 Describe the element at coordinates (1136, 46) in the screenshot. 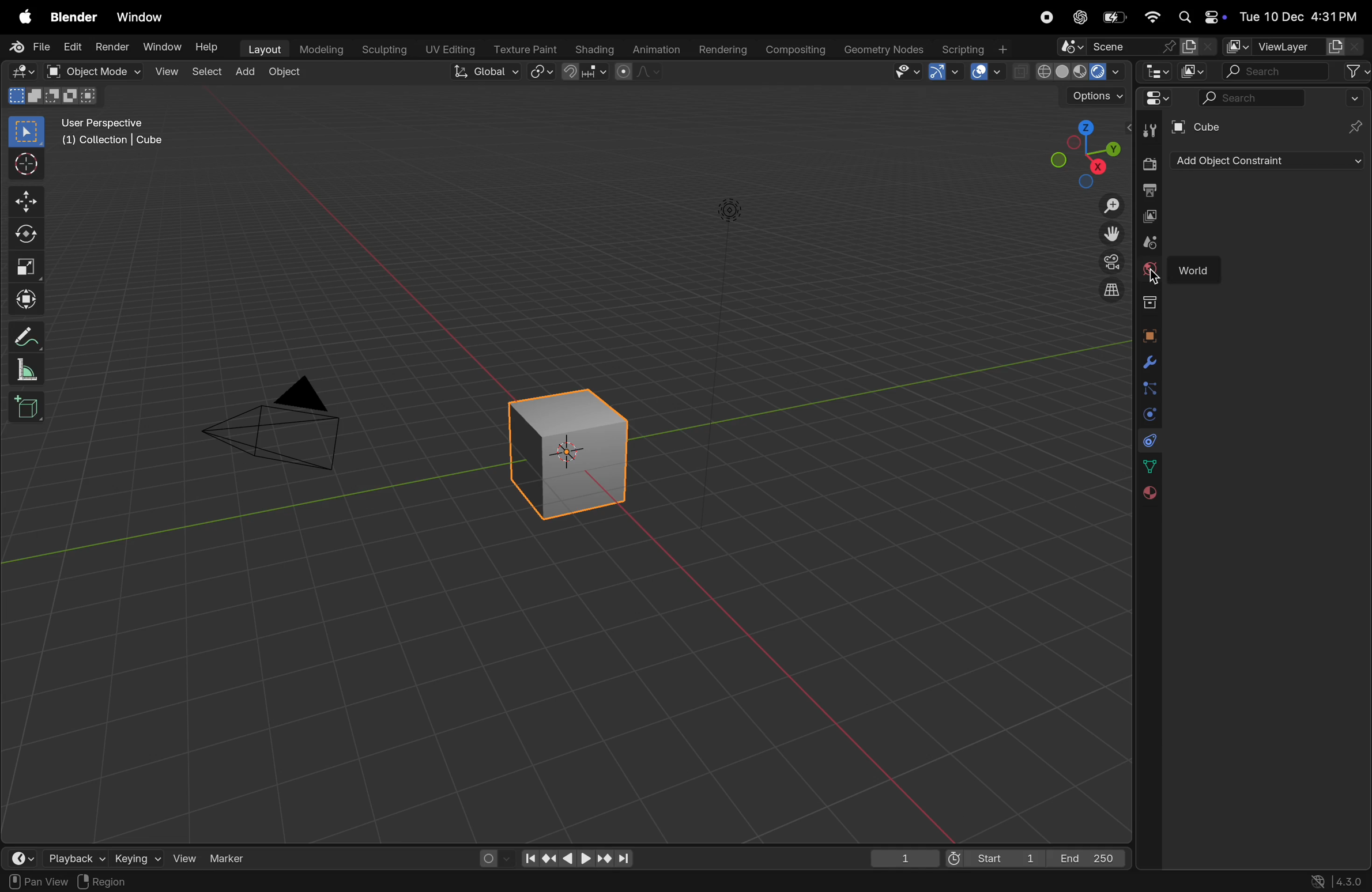

I see `scene` at that location.